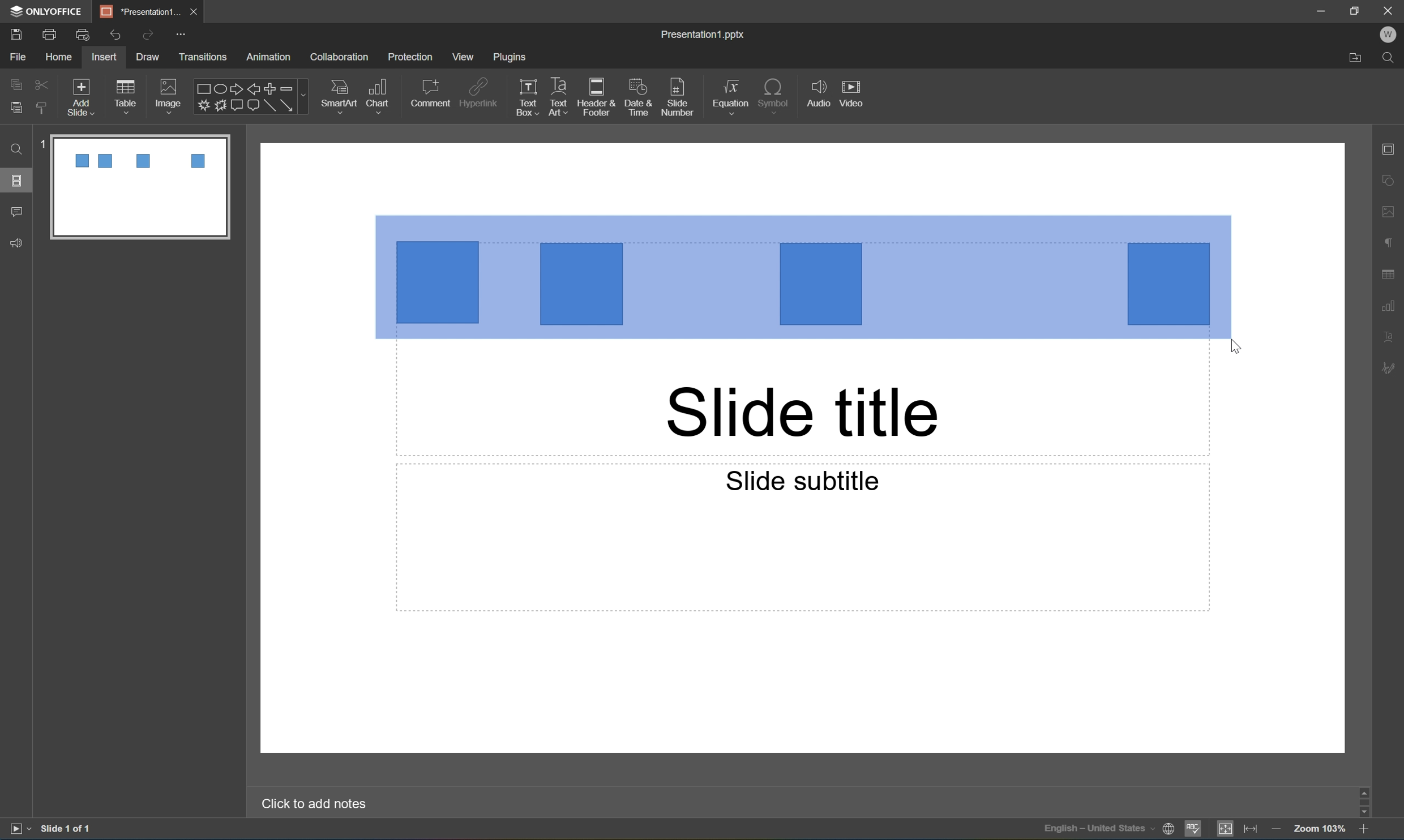 This screenshot has height=840, width=1404. I want to click on fit too slide, so click(1226, 830).